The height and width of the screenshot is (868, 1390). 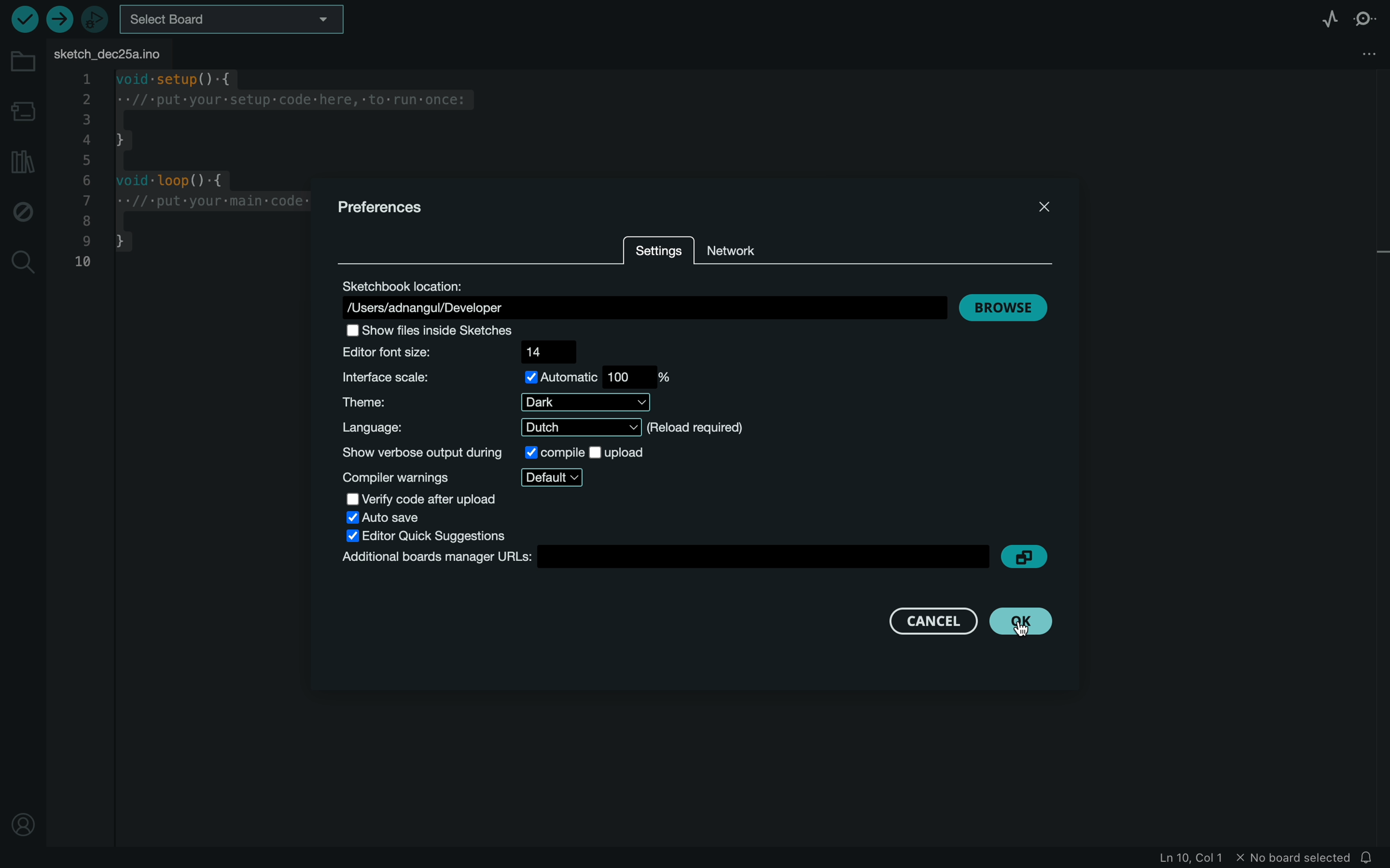 I want to click on dutch, so click(x=487, y=427).